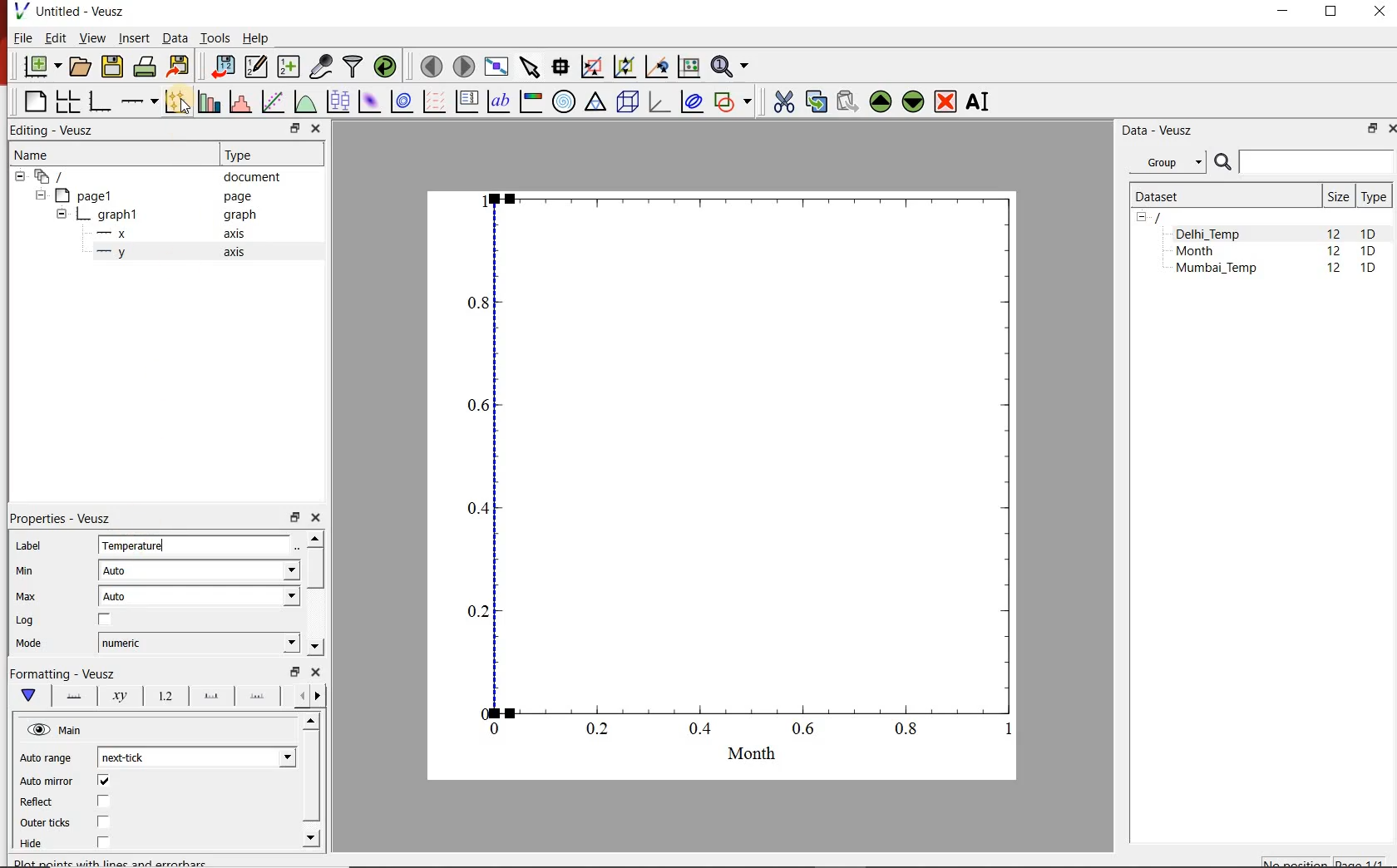 This screenshot has width=1397, height=868. I want to click on text label, so click(498, 101).